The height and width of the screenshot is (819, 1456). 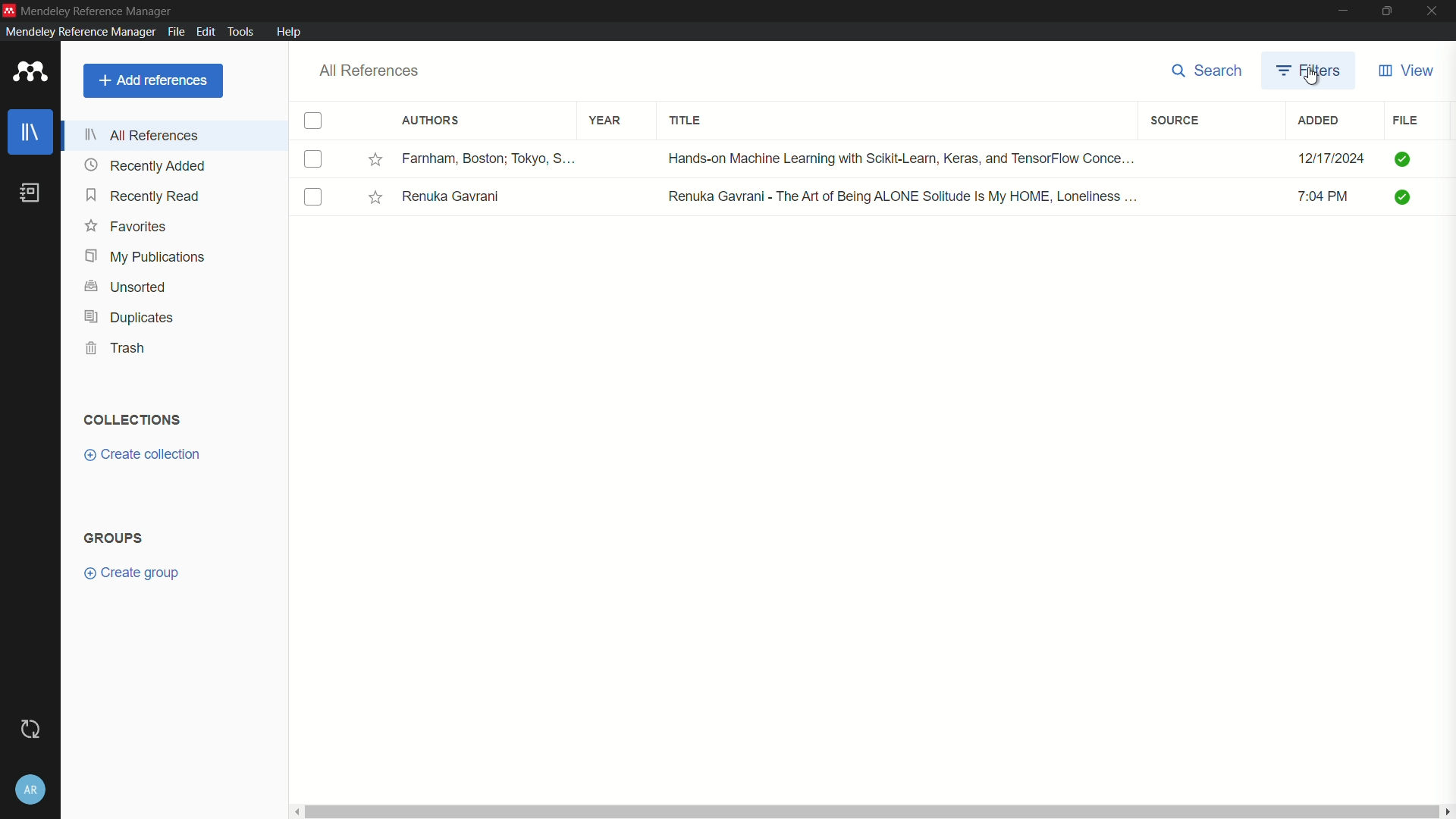 What do you see at coordinates (143, 135) in the screenshot?
I see `all references` at bounding box center [143, 135].